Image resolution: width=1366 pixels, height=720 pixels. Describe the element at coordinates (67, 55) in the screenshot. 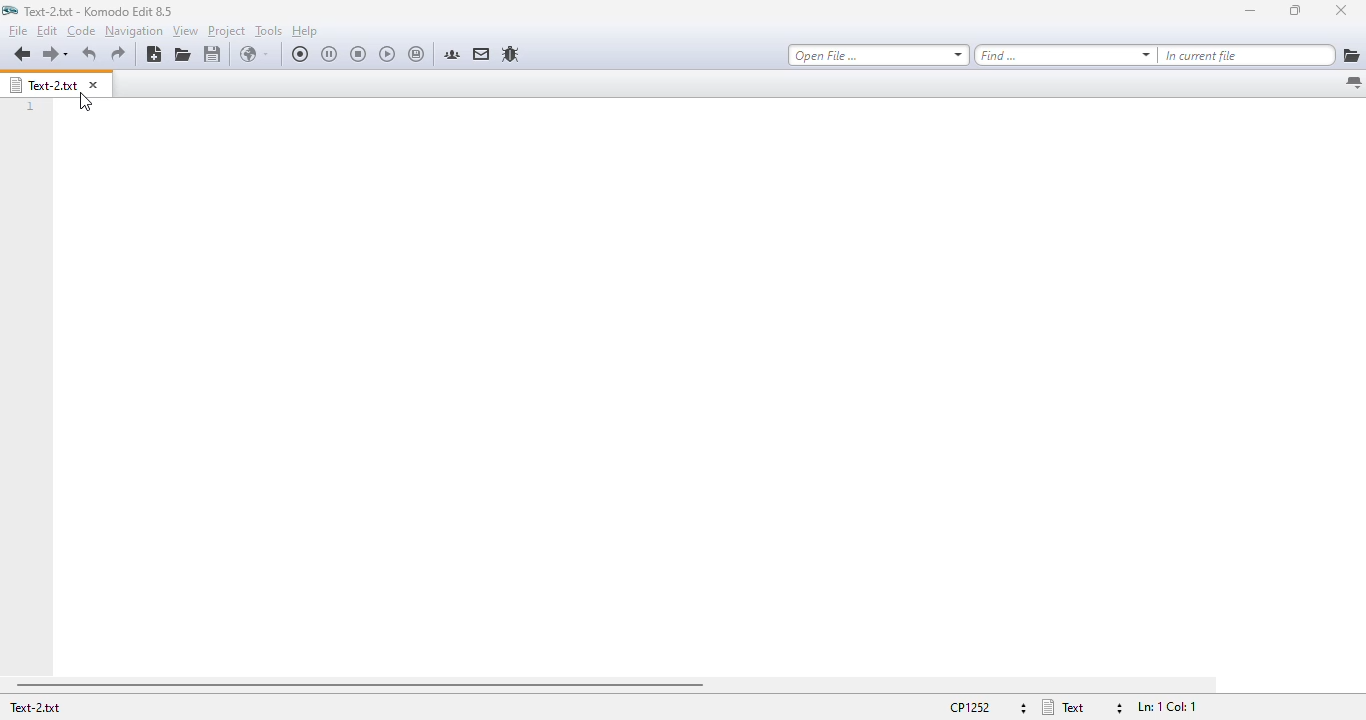

I see `recent locations` at that location.